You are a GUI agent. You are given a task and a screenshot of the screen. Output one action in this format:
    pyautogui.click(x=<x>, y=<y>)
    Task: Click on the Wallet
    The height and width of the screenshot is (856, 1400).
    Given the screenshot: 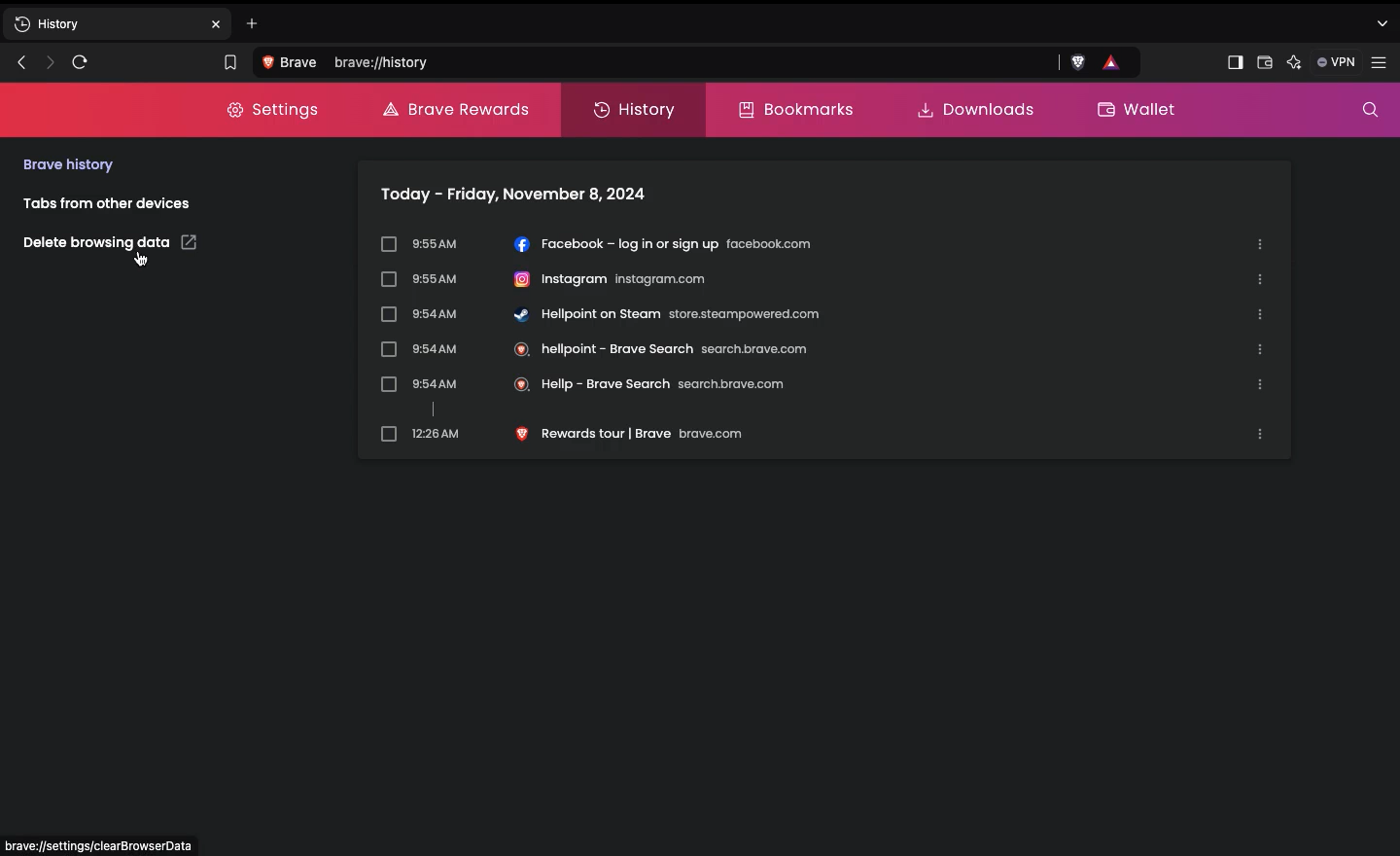 What is the action you would take?
    pyautogui.click(x=1135, y=111)
    